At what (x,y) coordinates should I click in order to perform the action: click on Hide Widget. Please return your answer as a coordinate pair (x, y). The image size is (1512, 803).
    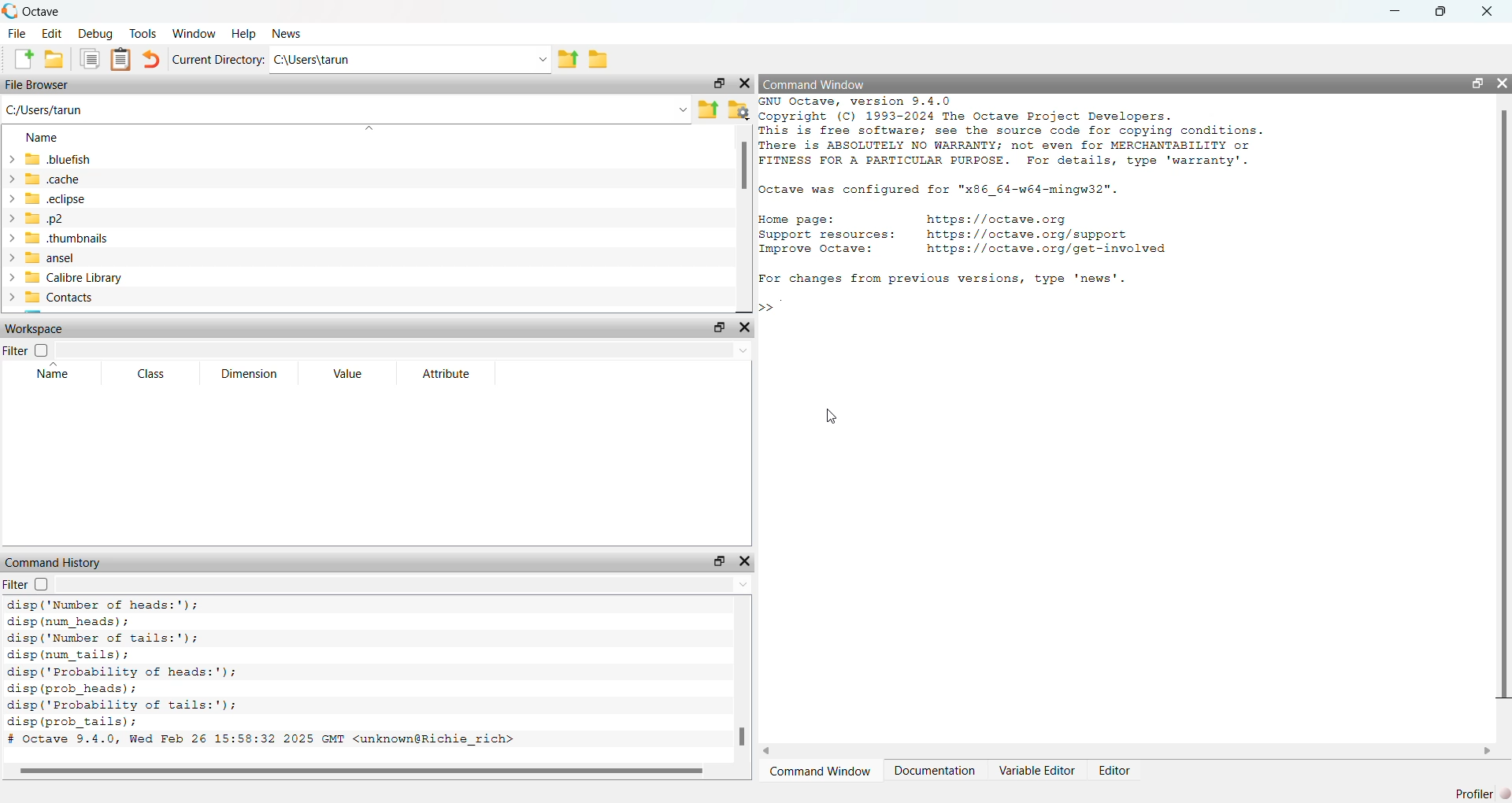
    Looking at the image, I should click on (744, 83).